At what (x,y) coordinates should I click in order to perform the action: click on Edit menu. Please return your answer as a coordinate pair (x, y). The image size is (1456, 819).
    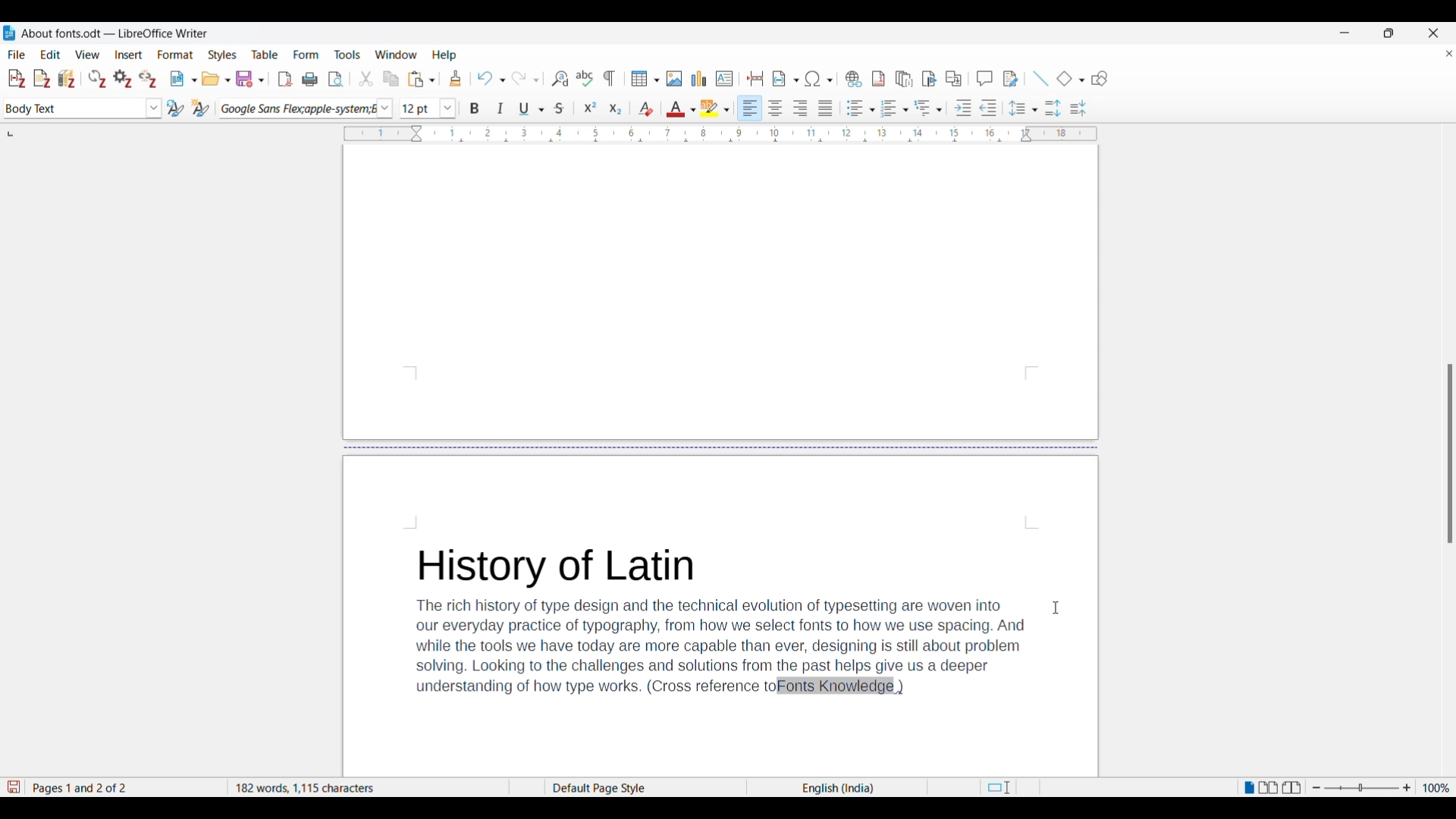
    Looking at the image, I should click on (50, 54).